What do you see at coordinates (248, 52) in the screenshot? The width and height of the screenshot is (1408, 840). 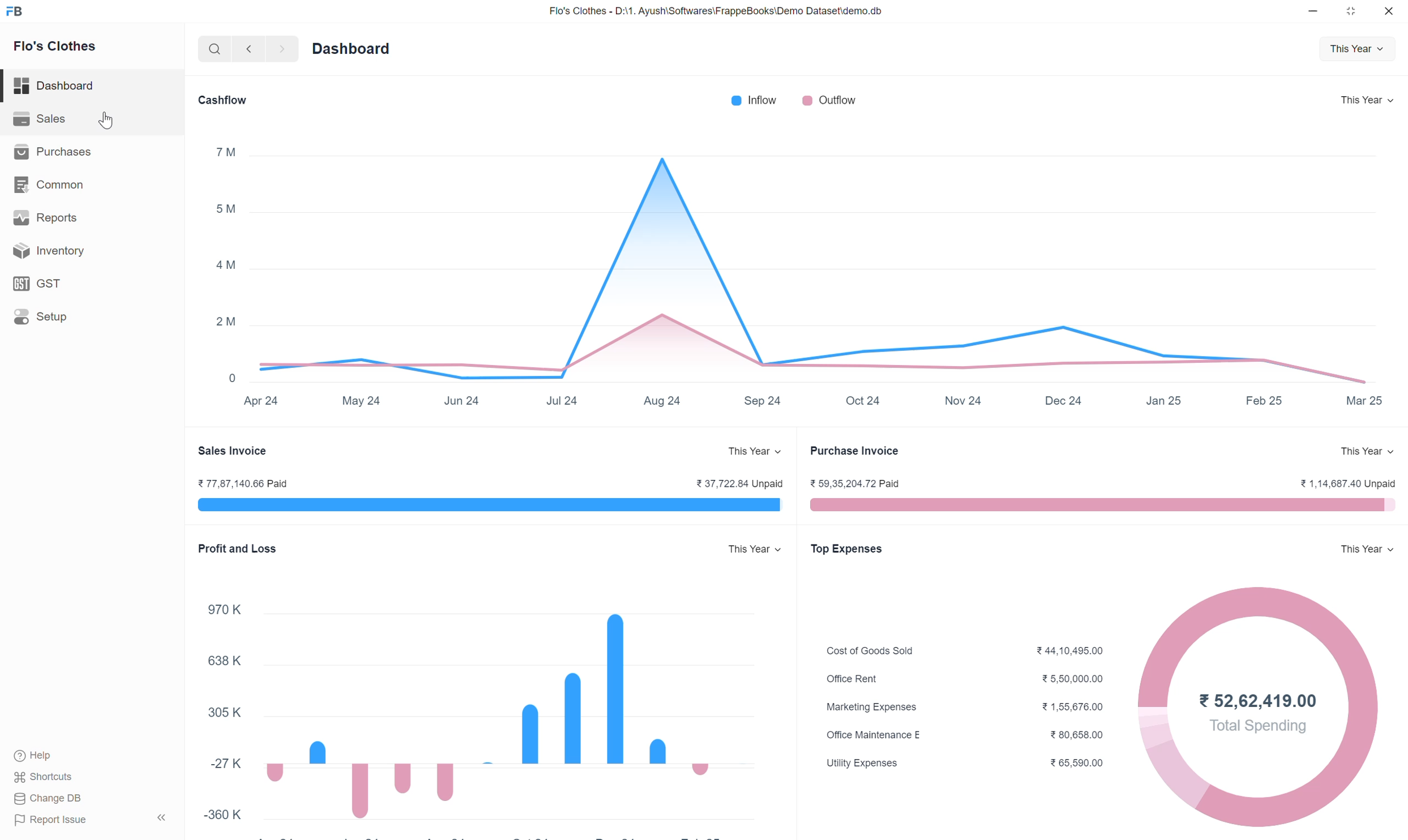 I see `go back ` at bounding box center [248, 52].